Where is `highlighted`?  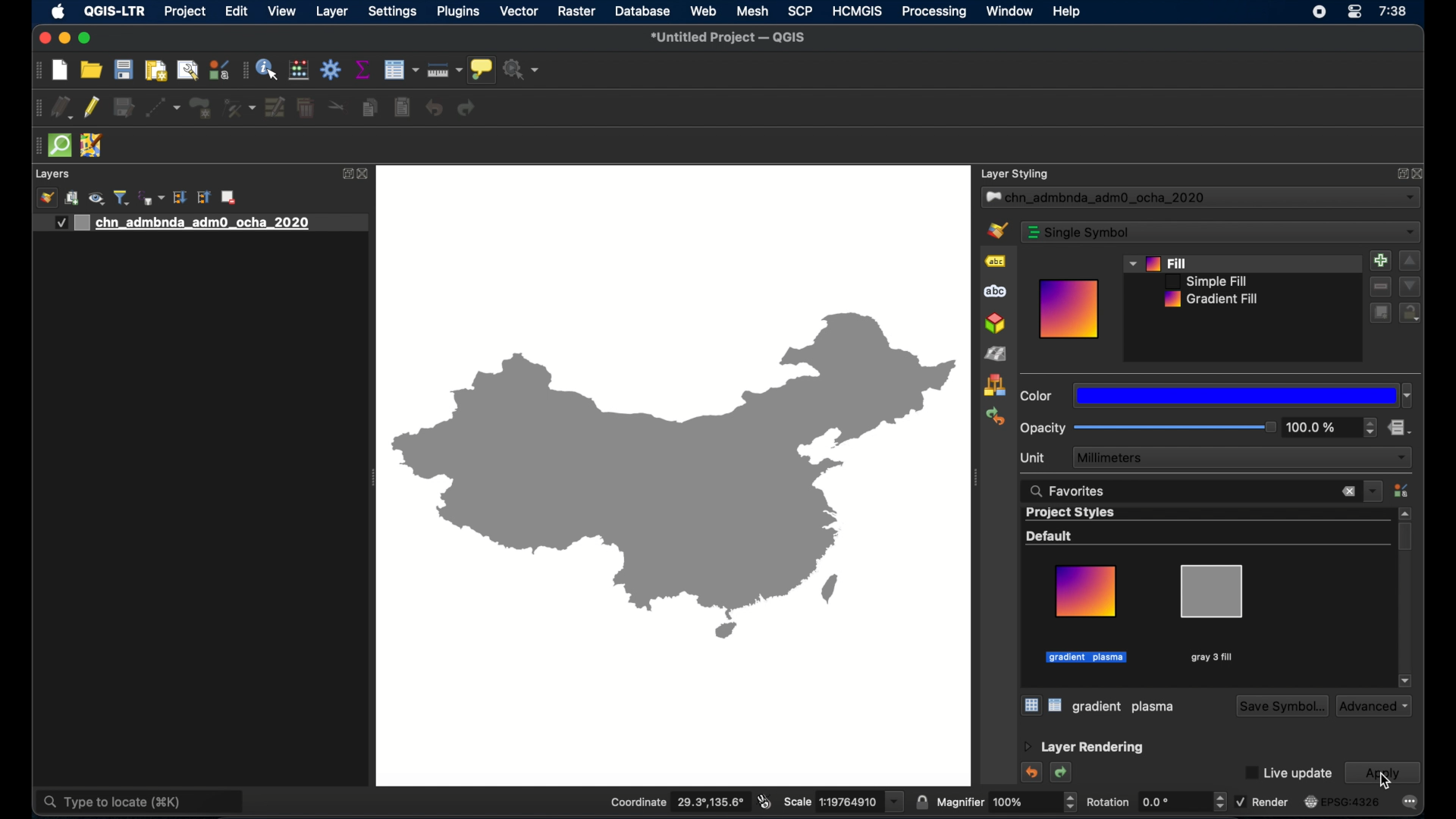
highlighted is located at coordinates (1087, 657).